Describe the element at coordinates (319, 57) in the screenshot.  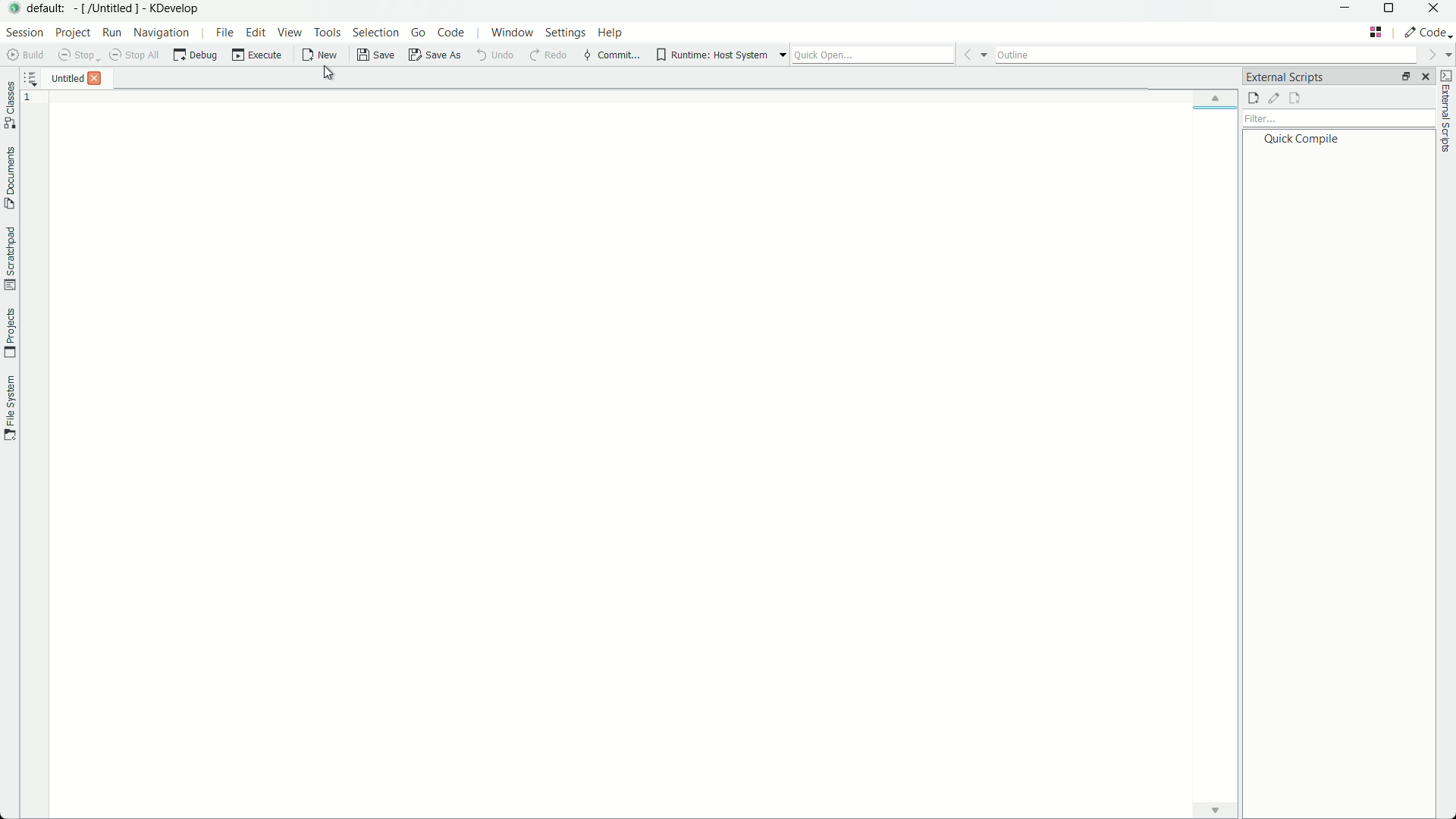
I see `new` at that location.